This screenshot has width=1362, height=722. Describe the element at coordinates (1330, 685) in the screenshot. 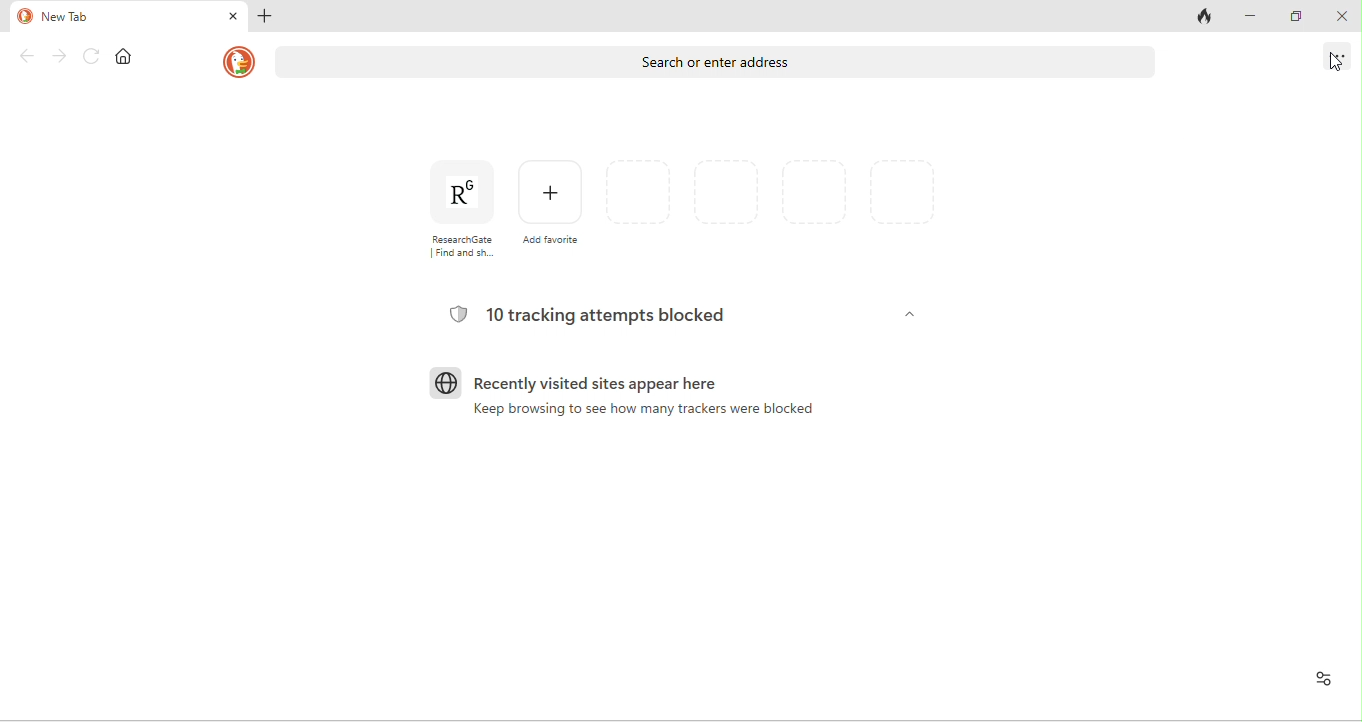

I see `recent activity and favourites` at that location.